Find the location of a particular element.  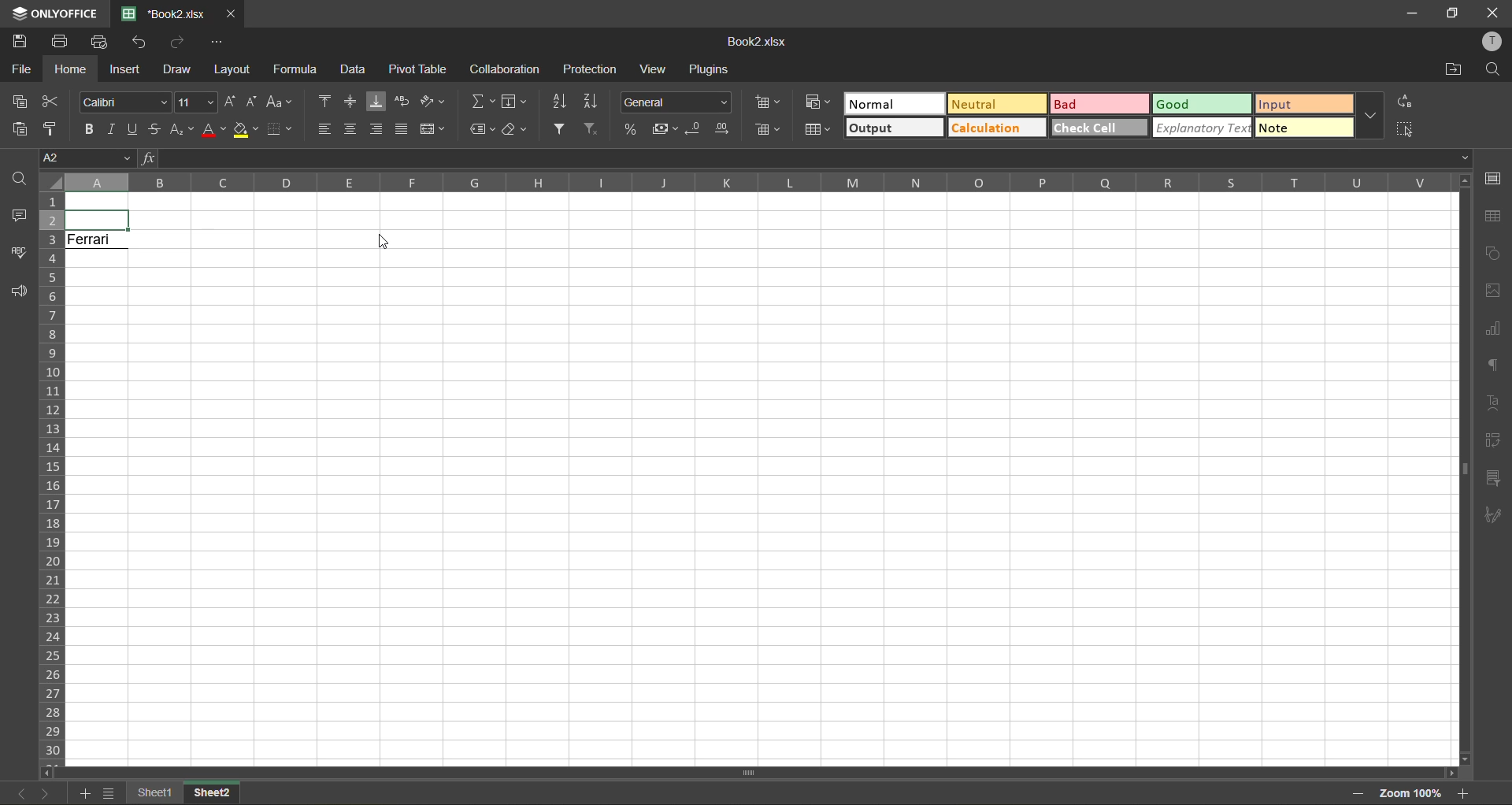

increment size is located at coordinates (232, 102).